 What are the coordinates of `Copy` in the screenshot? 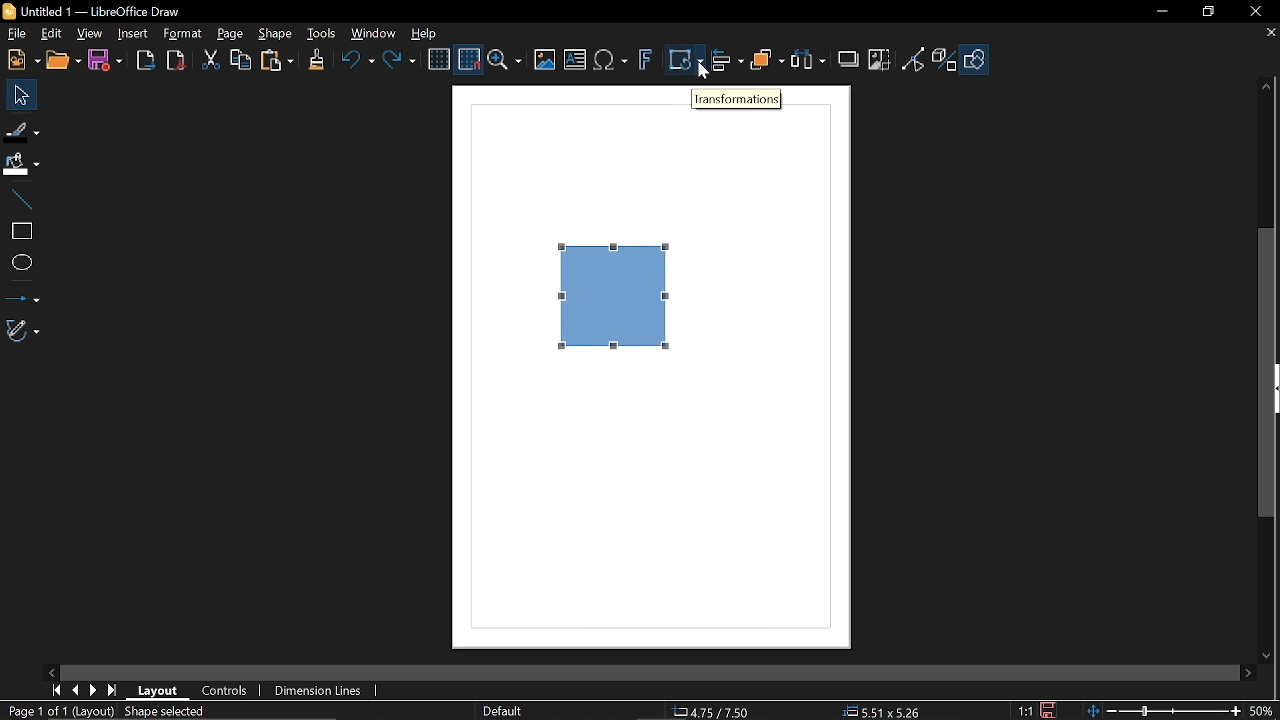 It's located at (241, 61).